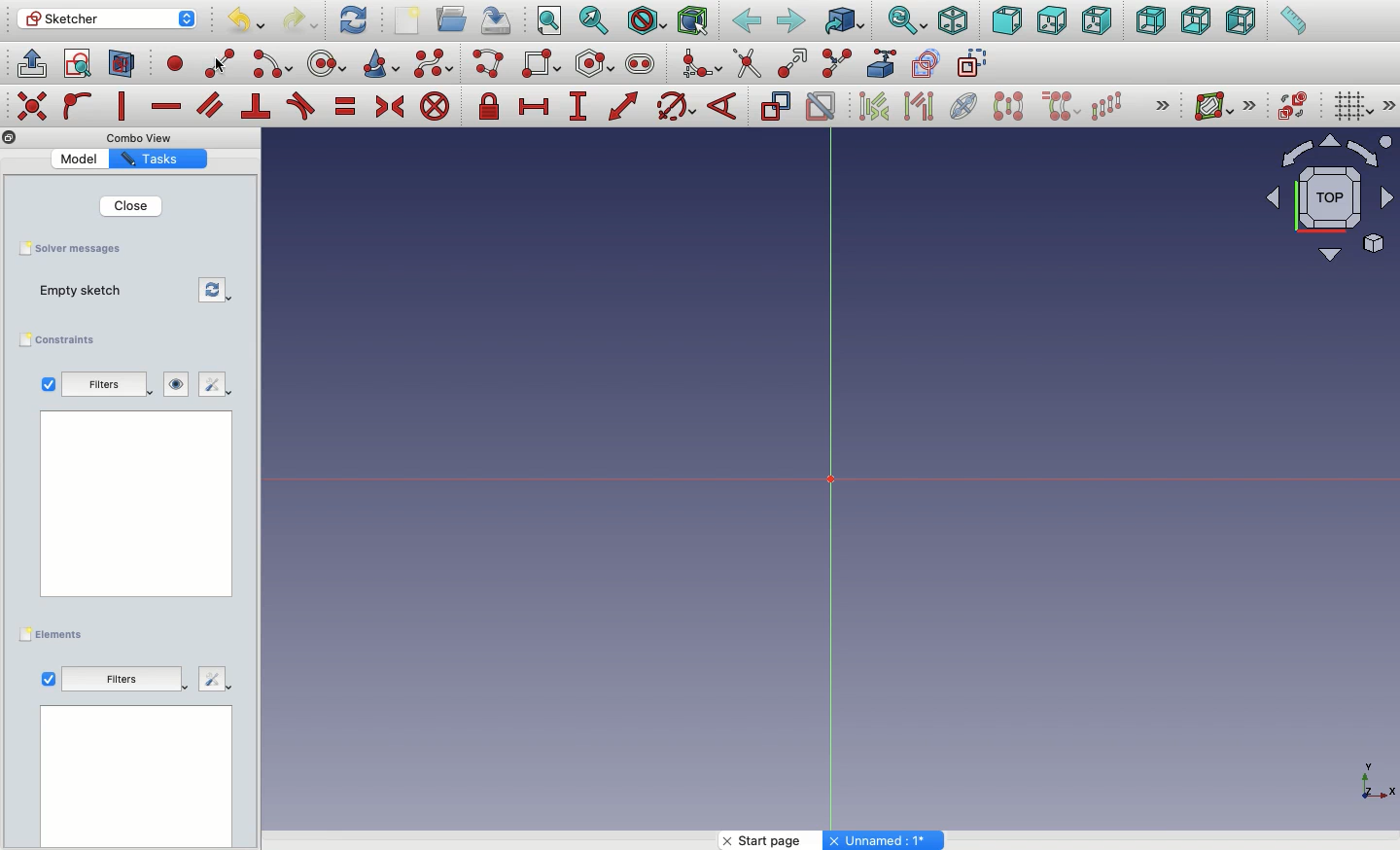 The height and width of the screenshot is (850, 1400). I want to click on line, so click(221, 64).